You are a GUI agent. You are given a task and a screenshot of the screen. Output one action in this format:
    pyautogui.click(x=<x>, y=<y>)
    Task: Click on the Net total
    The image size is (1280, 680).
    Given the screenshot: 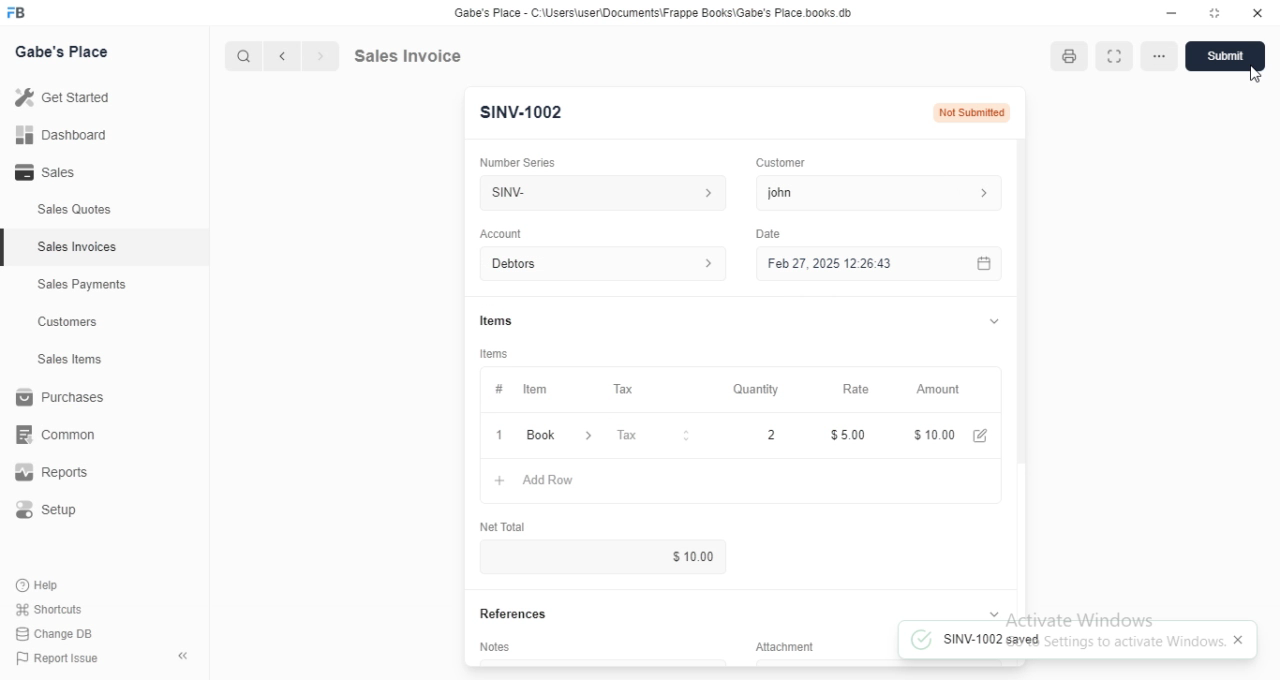 What is the action you would take?
    pyautogui.click(x=501, y=528)
    